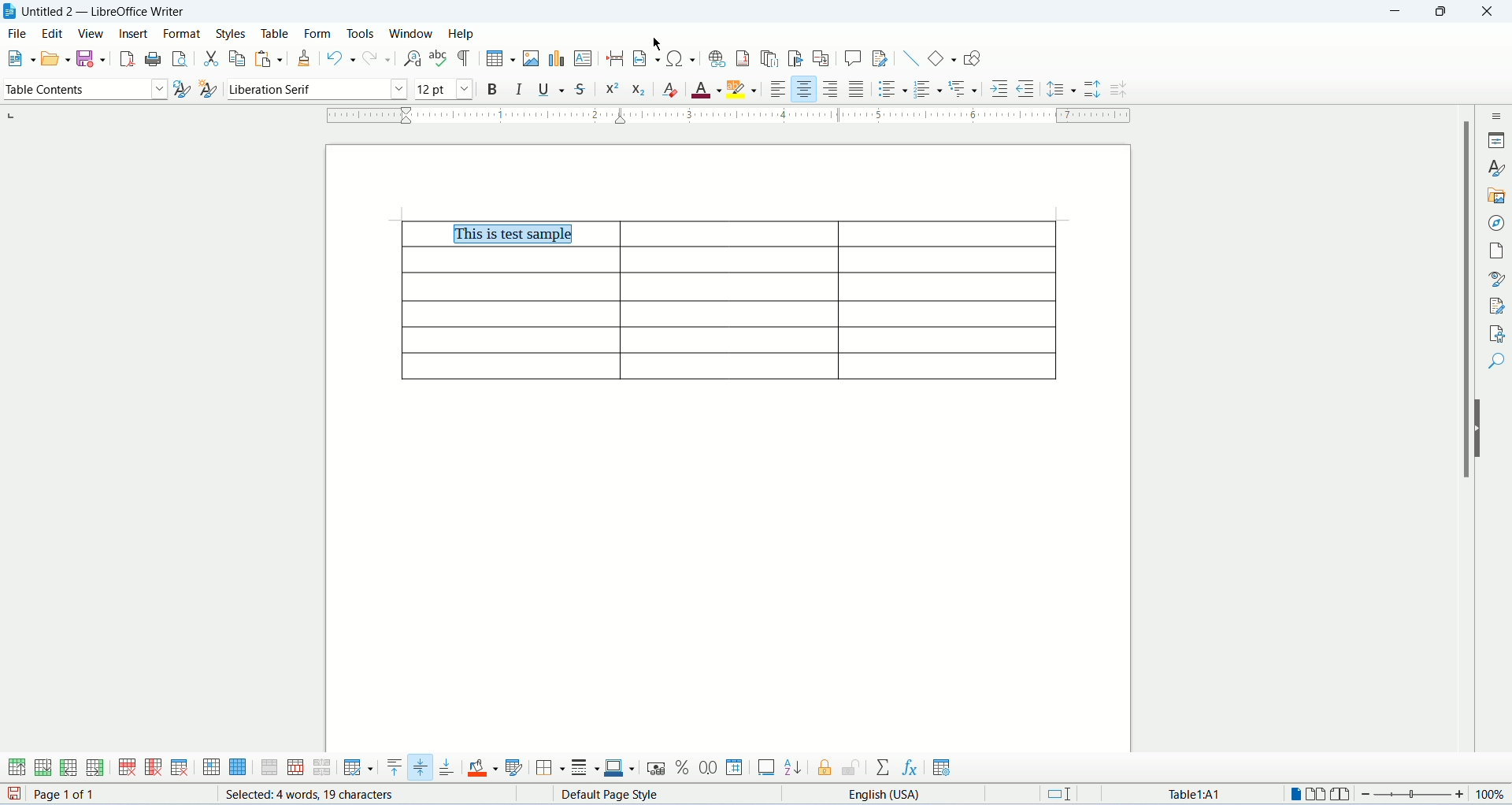 The height and width of the screenshot is (805, 1512). What do you see at coordinates (211, 57) in the screenshot?
I see `cut` at bounding box center [211, 57].